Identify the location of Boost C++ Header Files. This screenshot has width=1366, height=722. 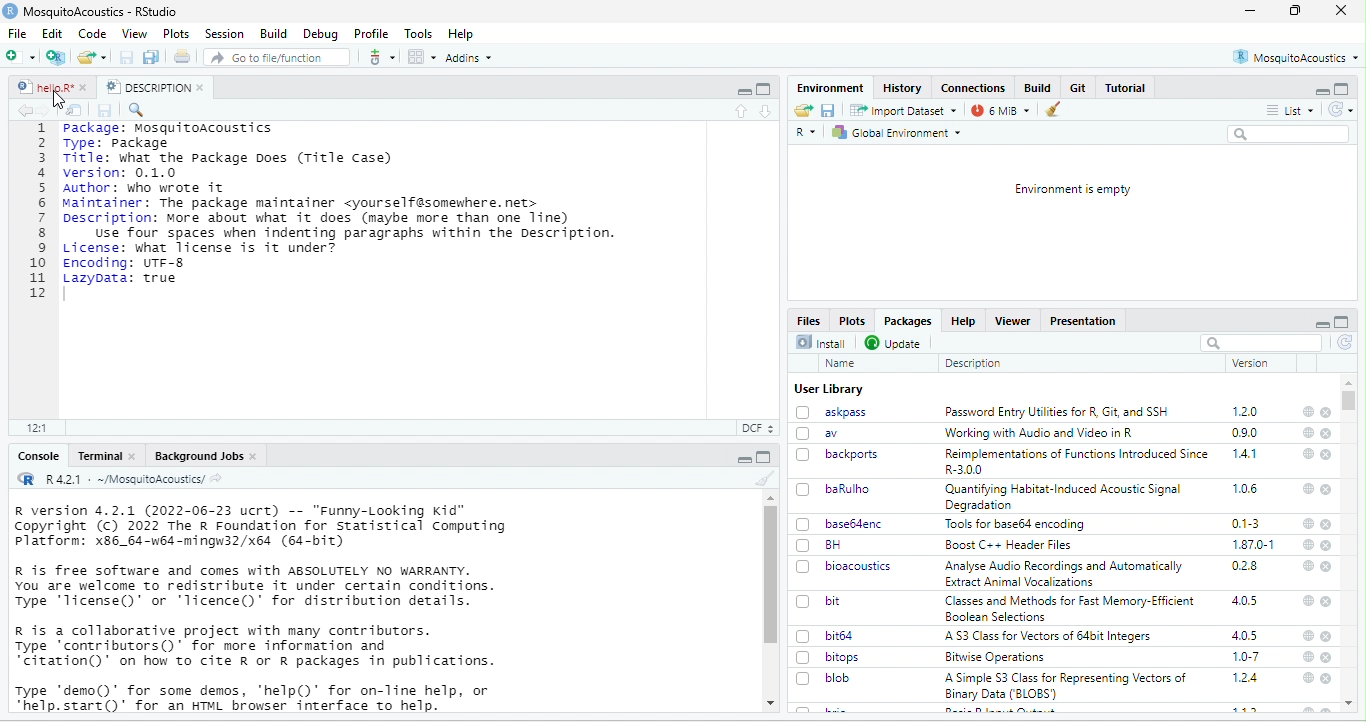
(1010, 545).